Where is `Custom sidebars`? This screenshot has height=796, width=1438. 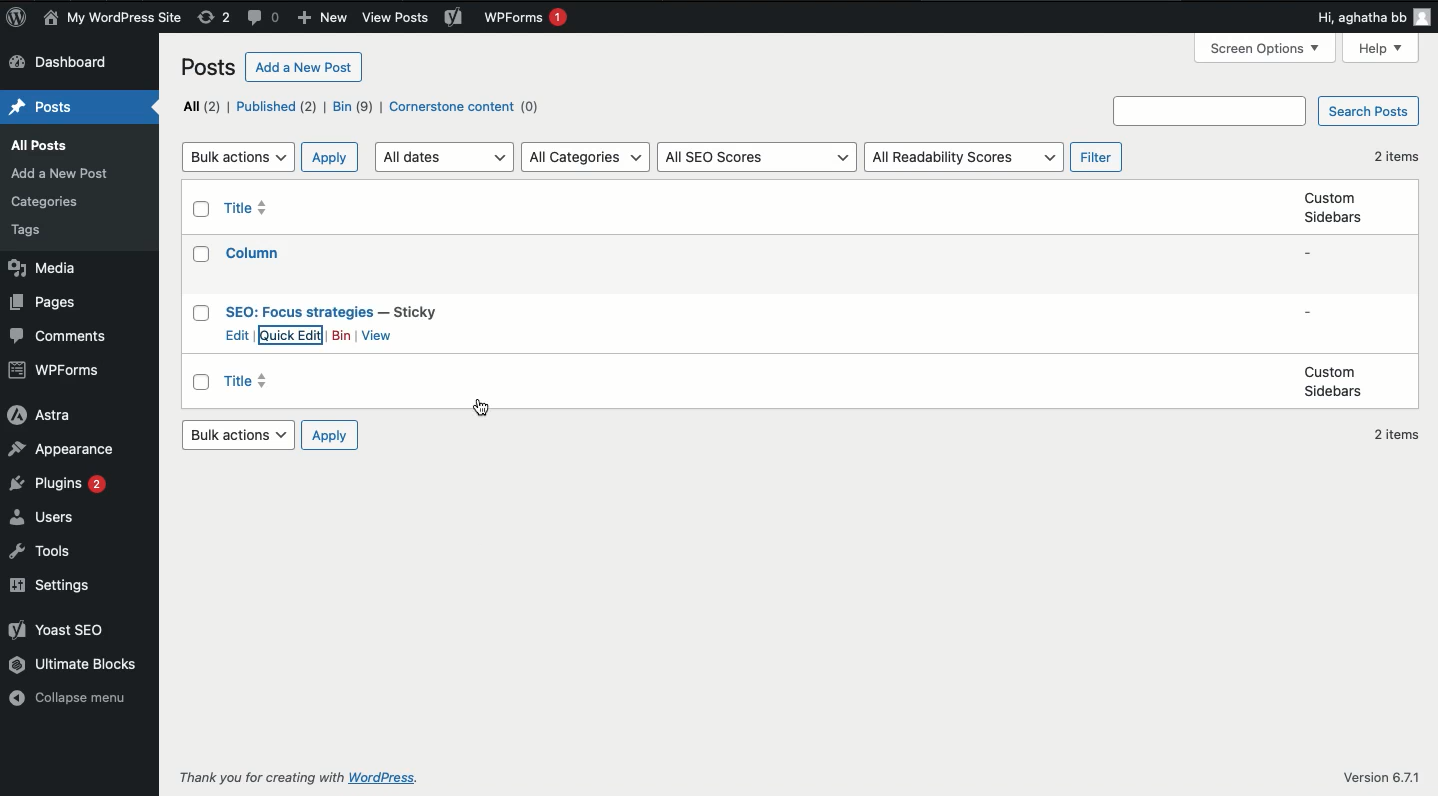 Custom sidebars is located at coordinates (1331, 207).